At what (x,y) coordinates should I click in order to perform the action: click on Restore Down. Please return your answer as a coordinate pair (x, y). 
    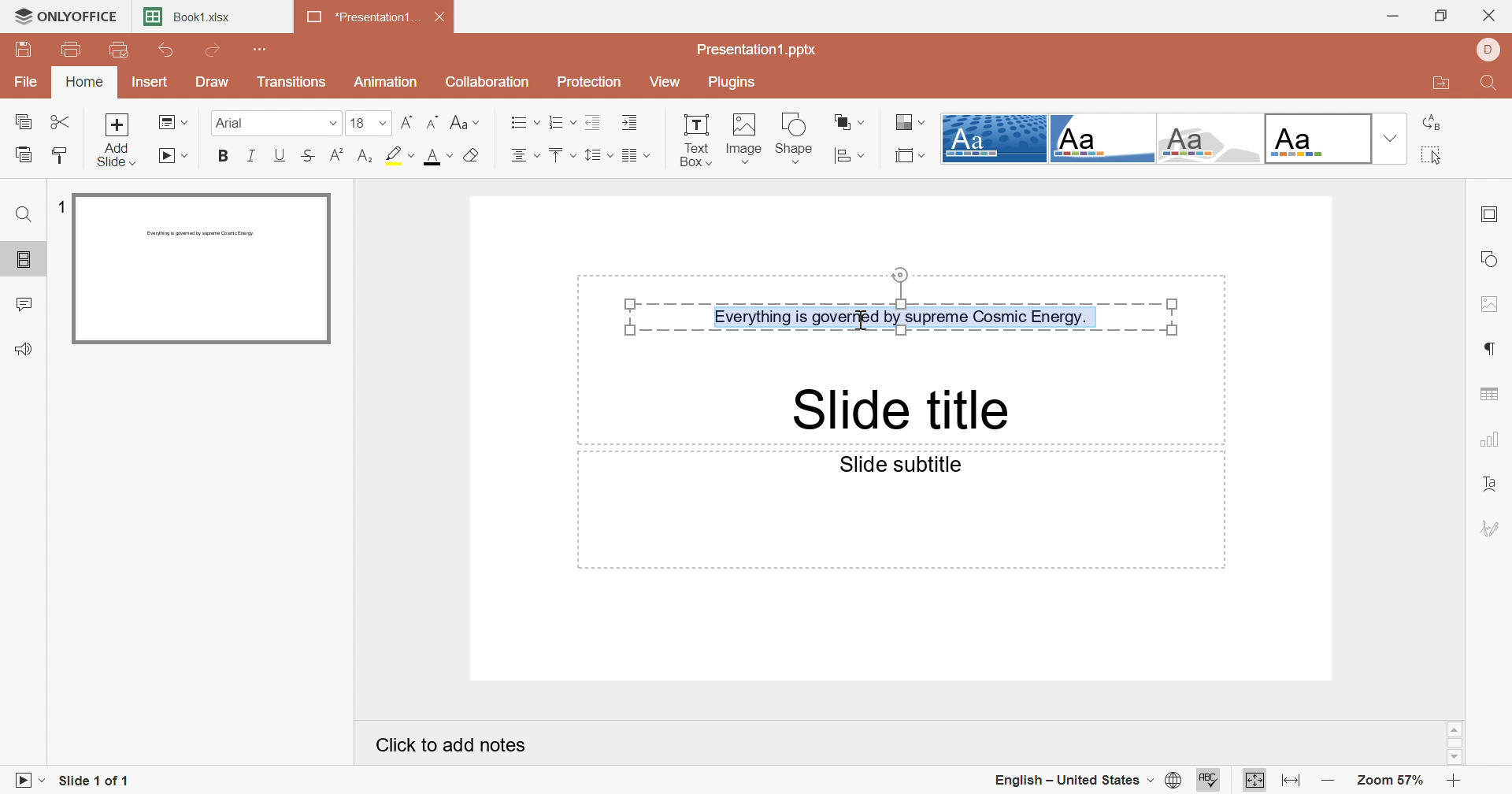
    Looking at the image, I should click on (1440, 16).